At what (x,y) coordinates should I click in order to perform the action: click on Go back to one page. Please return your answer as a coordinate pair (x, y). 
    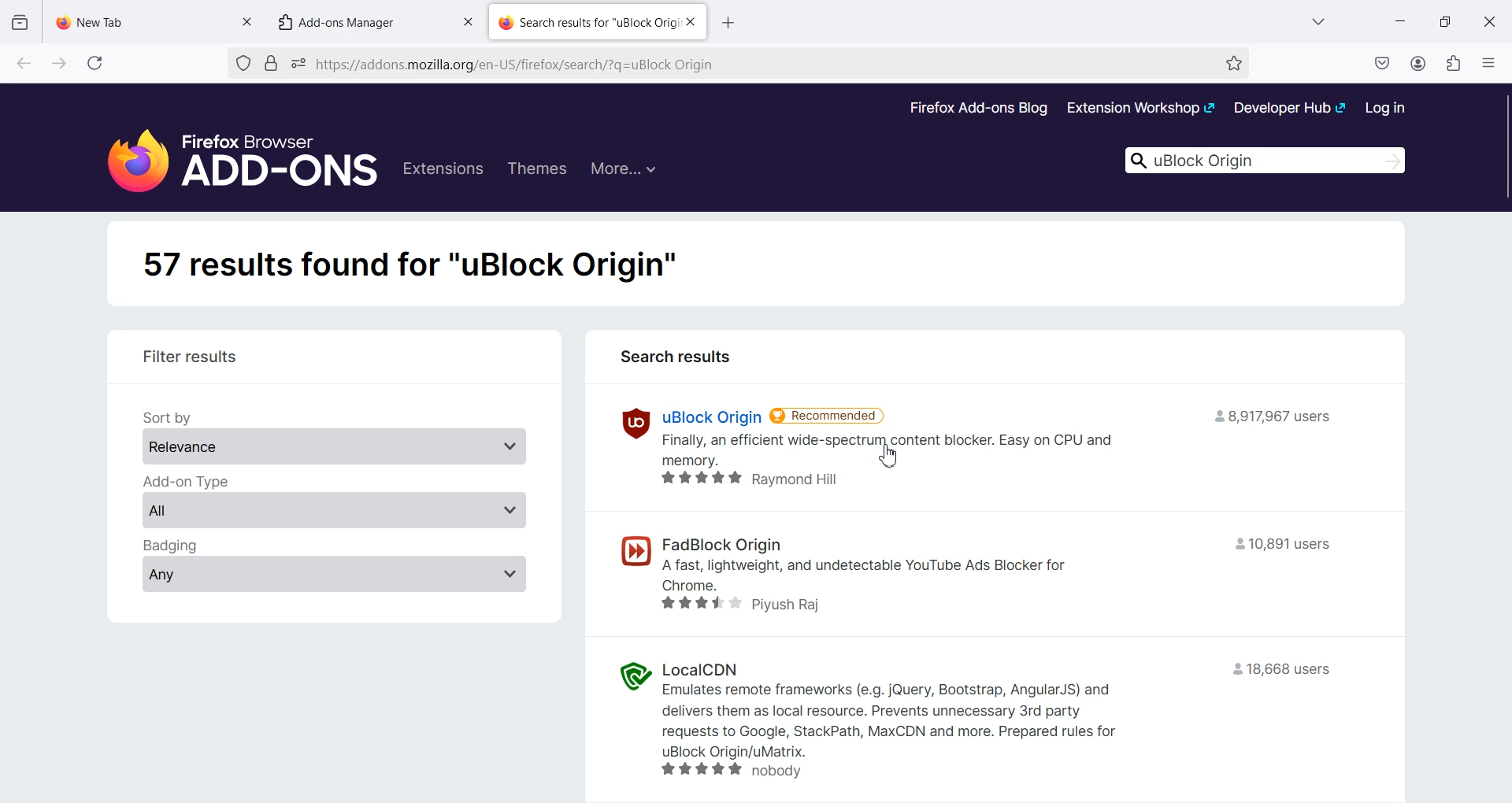
    Looking at the image, I should click on (23, 62).